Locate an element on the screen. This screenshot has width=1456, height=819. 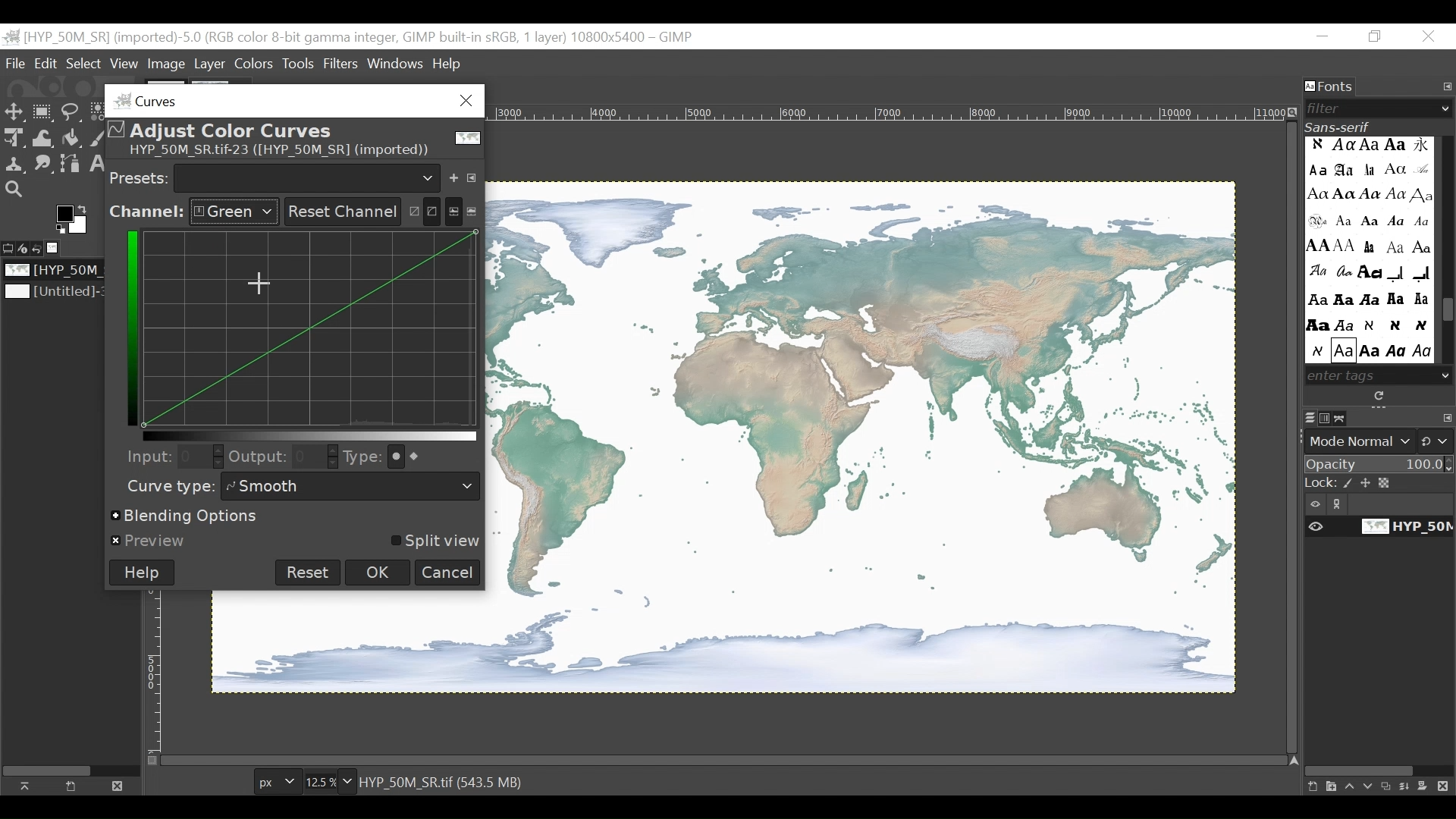
Item Visibility of the image is located at coordinates (1376, 527).